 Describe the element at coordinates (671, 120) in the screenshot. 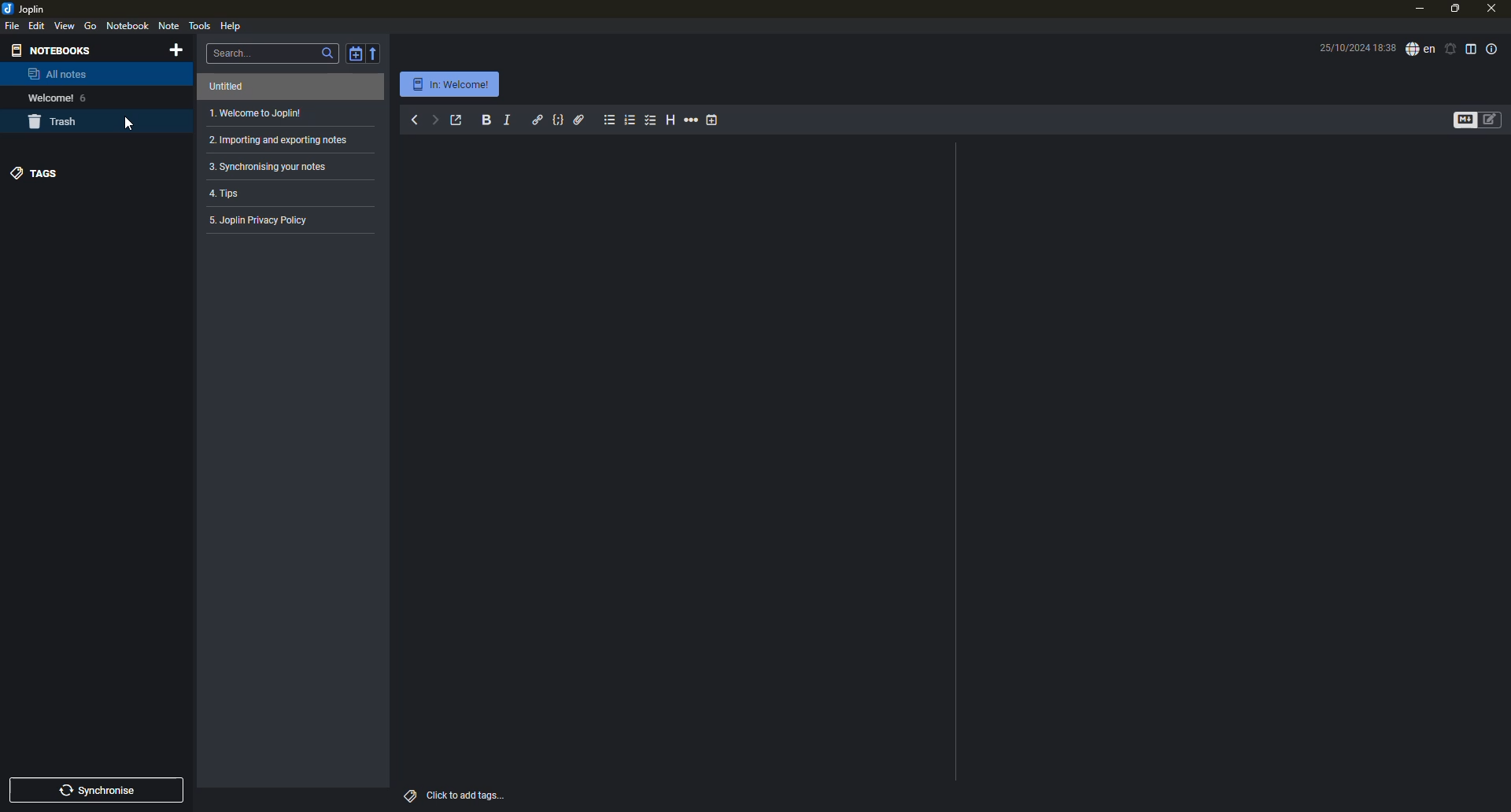

I see `heading` at that location.